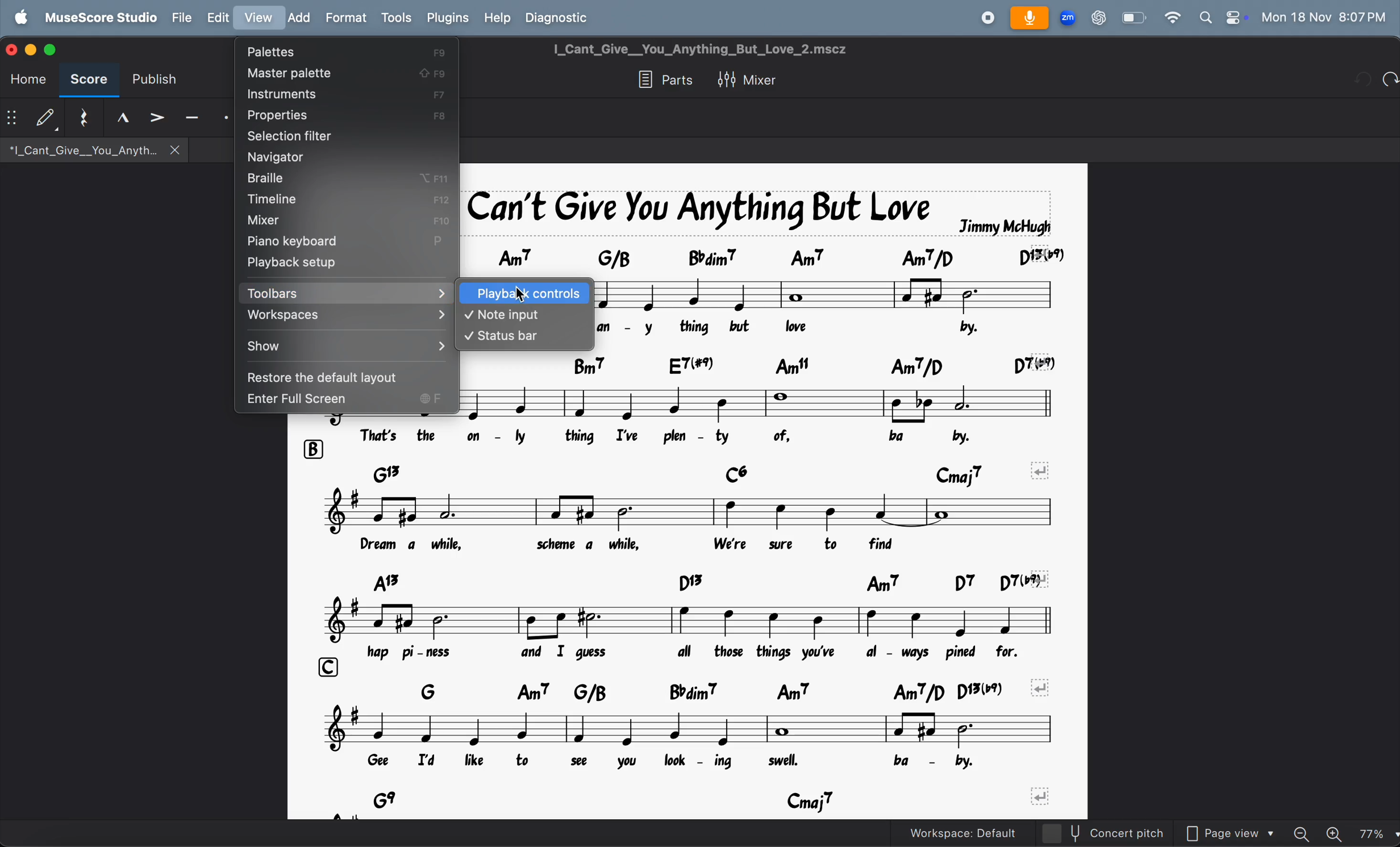  I want to click on mixer, so click(748, 81).